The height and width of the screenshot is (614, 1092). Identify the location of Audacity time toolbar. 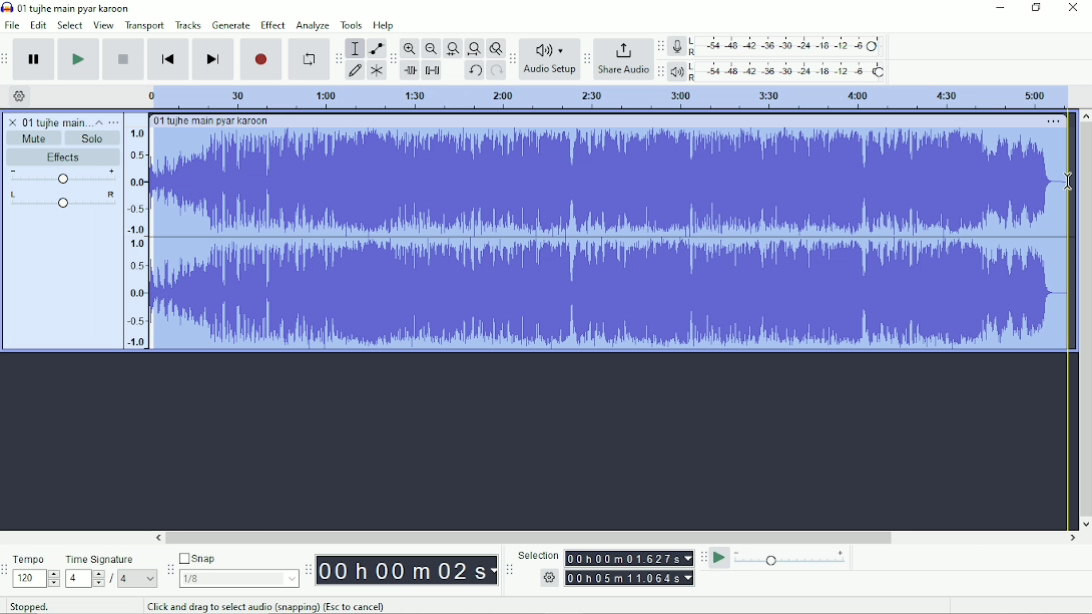
(308, 569).